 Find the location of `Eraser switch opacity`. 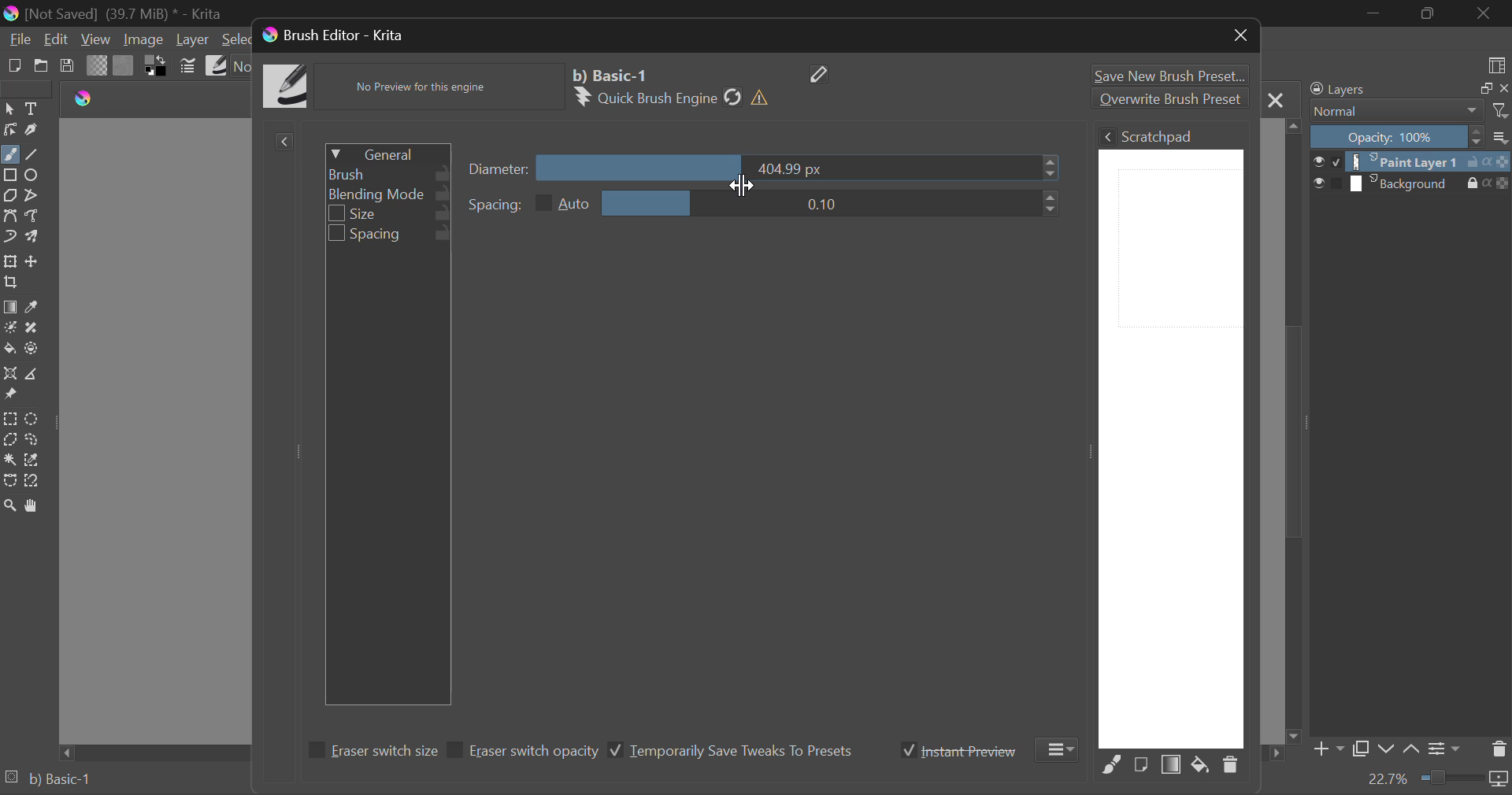

Eraser switch opacity is located at coordinates (524, 752).